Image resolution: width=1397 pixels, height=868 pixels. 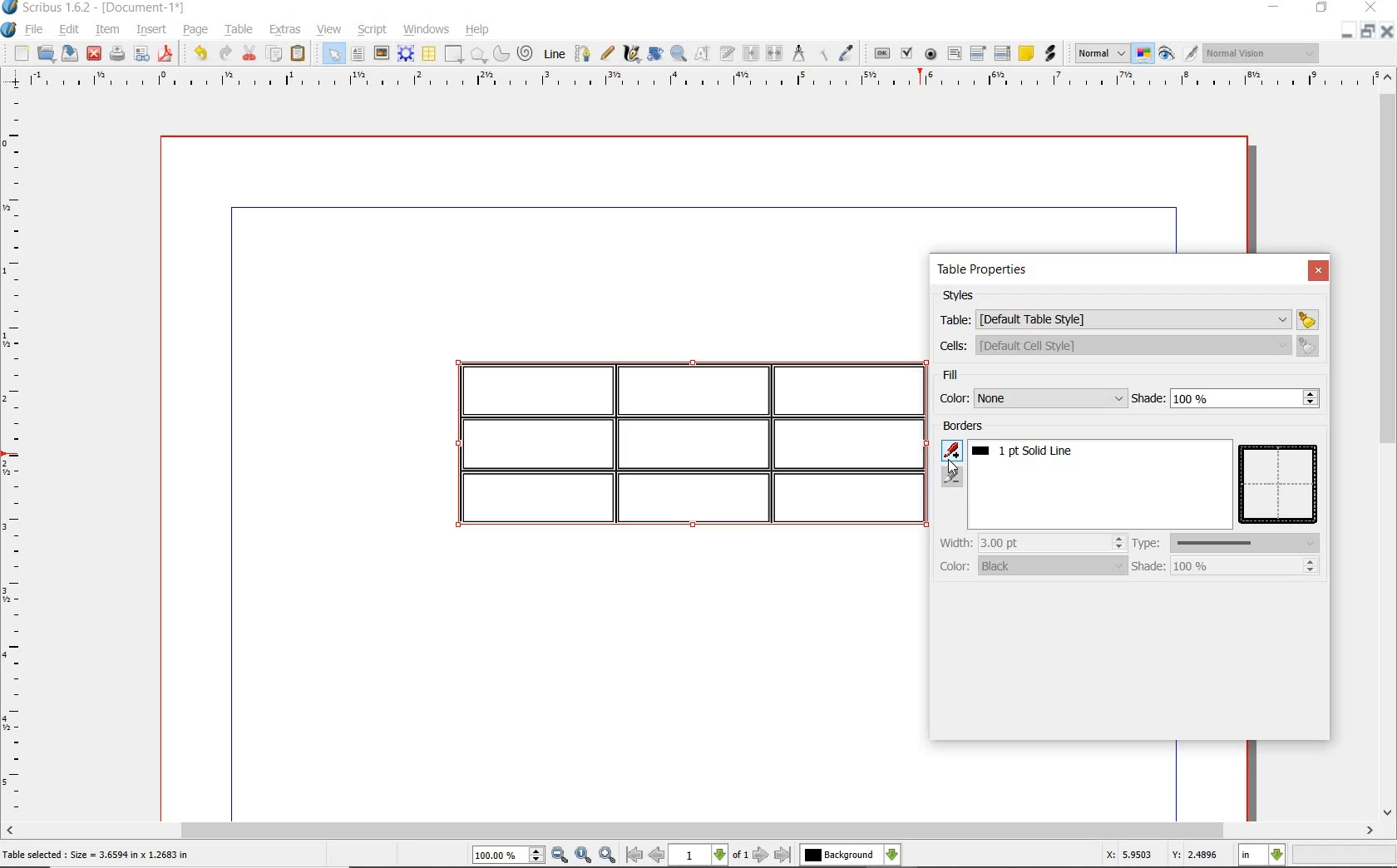 I want to click on image frame, so click(x=382, y=54).